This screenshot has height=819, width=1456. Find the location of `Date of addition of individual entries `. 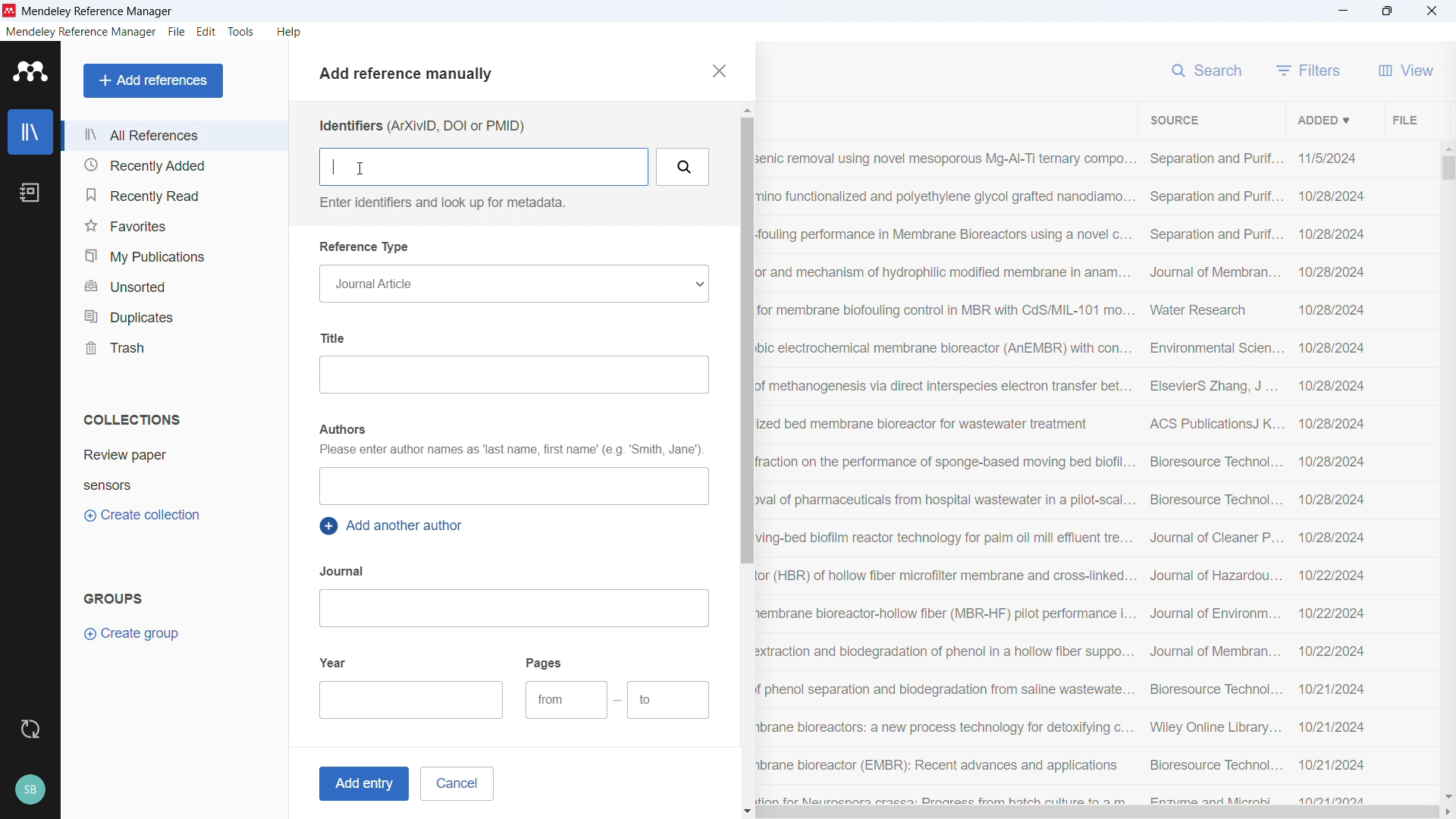

Date of addition of individual entries  is located at coordinates (1332, 477).